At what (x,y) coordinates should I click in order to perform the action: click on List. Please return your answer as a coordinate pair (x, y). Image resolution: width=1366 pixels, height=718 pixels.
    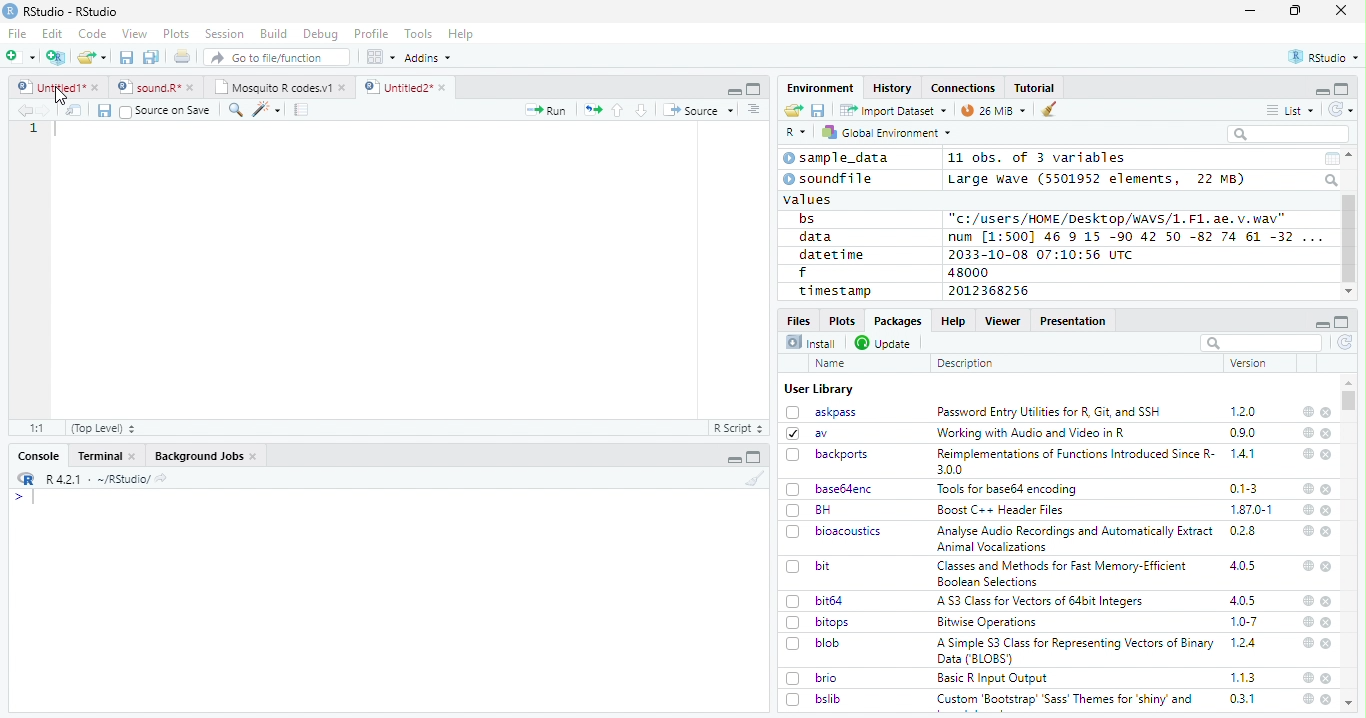
    Looking at the image, I should click on (1291, 111).